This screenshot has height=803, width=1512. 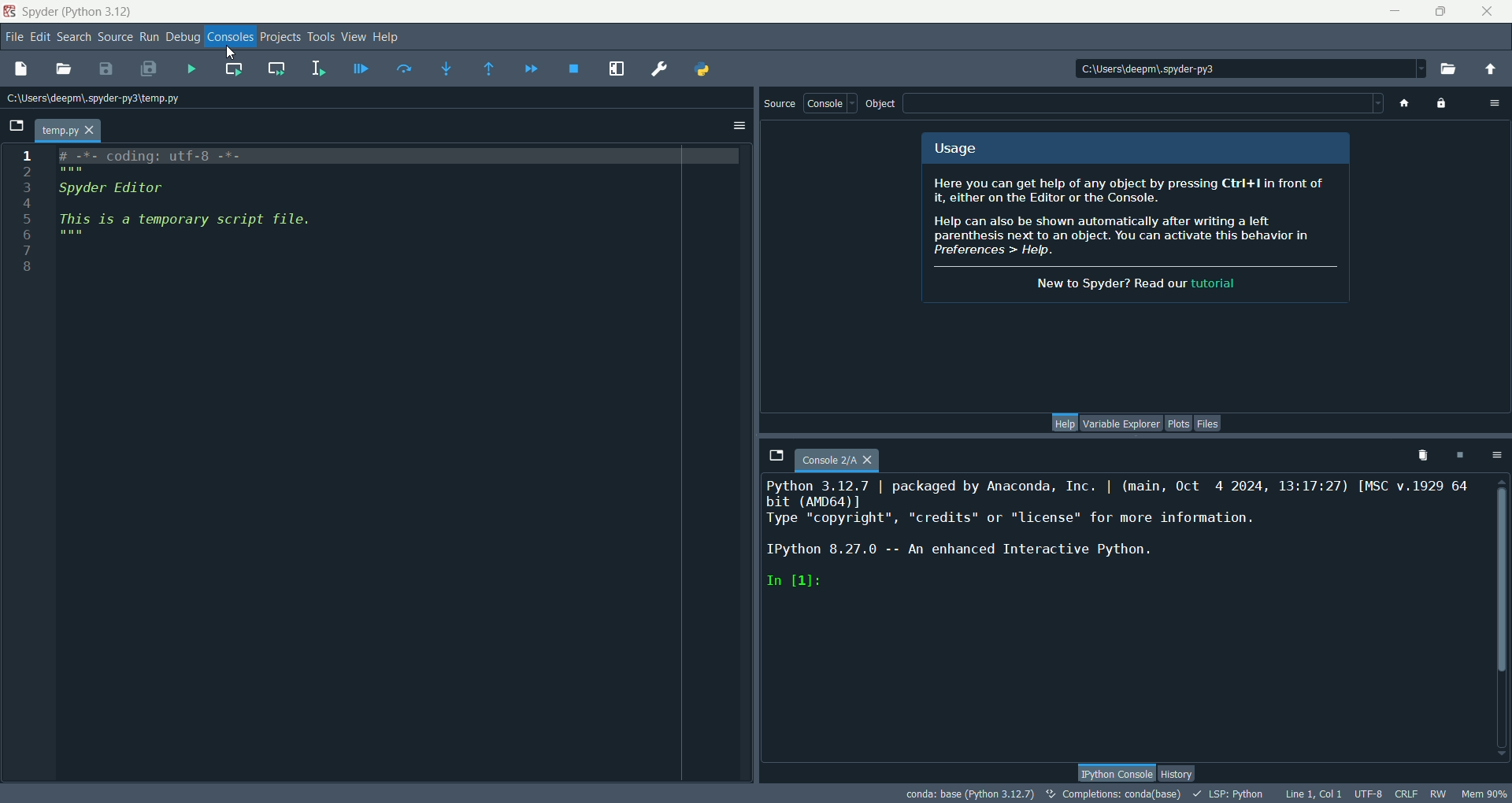 I want to click on RW, so click(x=1443, y=794).